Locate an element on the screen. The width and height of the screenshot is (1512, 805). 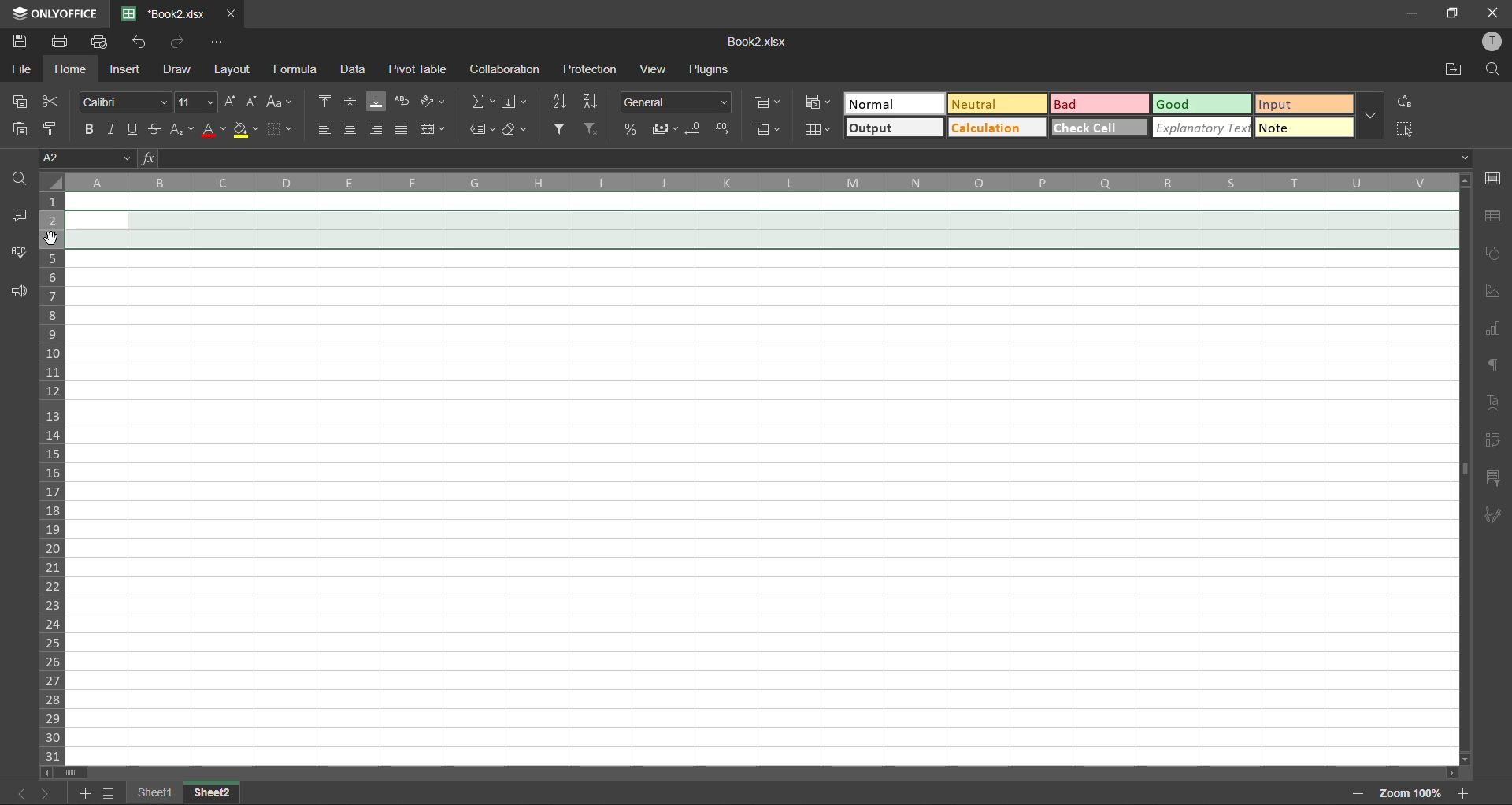
close tab is located at coordinates (233, 13).